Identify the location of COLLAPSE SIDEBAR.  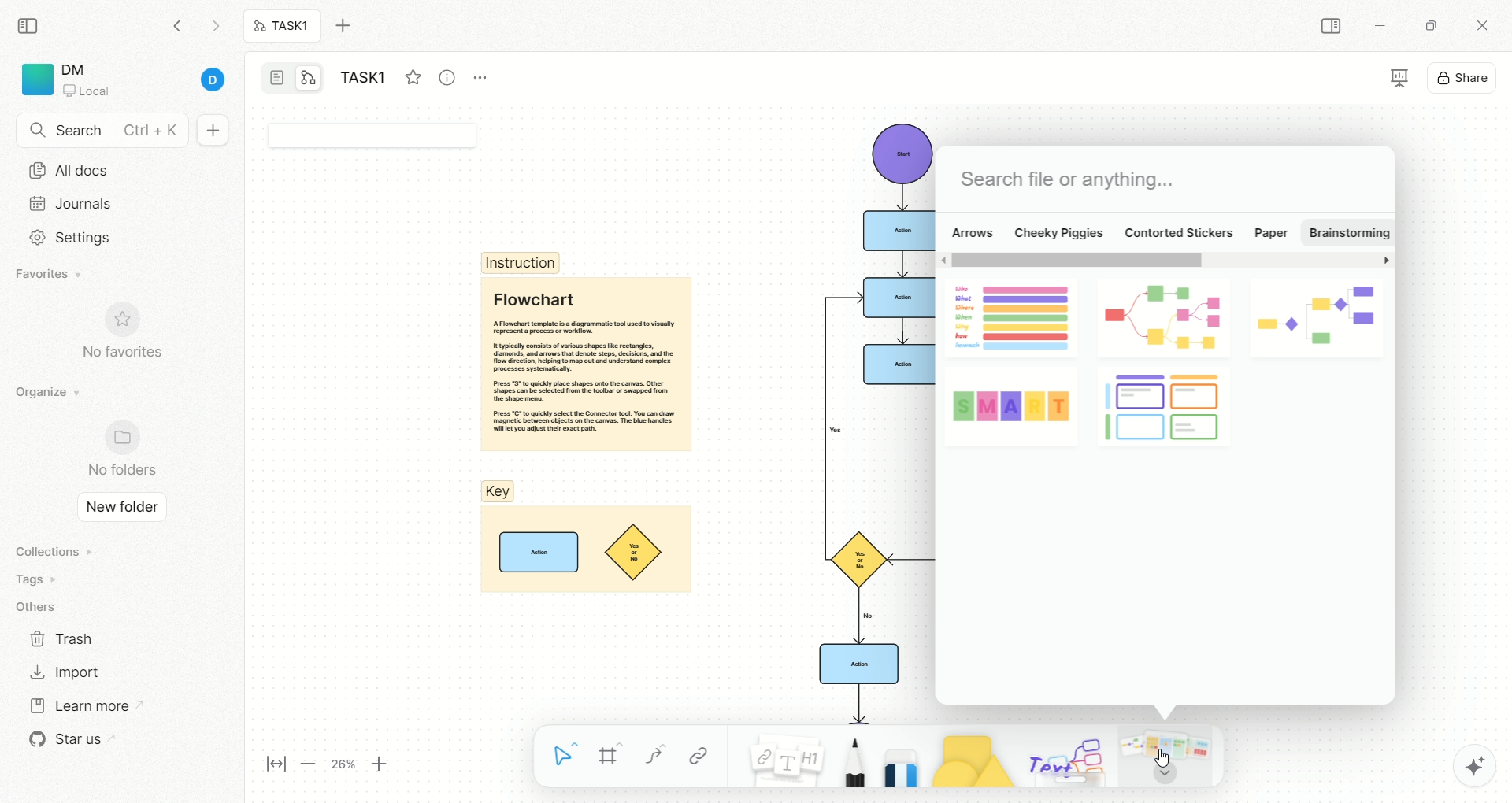
(1332, 27).